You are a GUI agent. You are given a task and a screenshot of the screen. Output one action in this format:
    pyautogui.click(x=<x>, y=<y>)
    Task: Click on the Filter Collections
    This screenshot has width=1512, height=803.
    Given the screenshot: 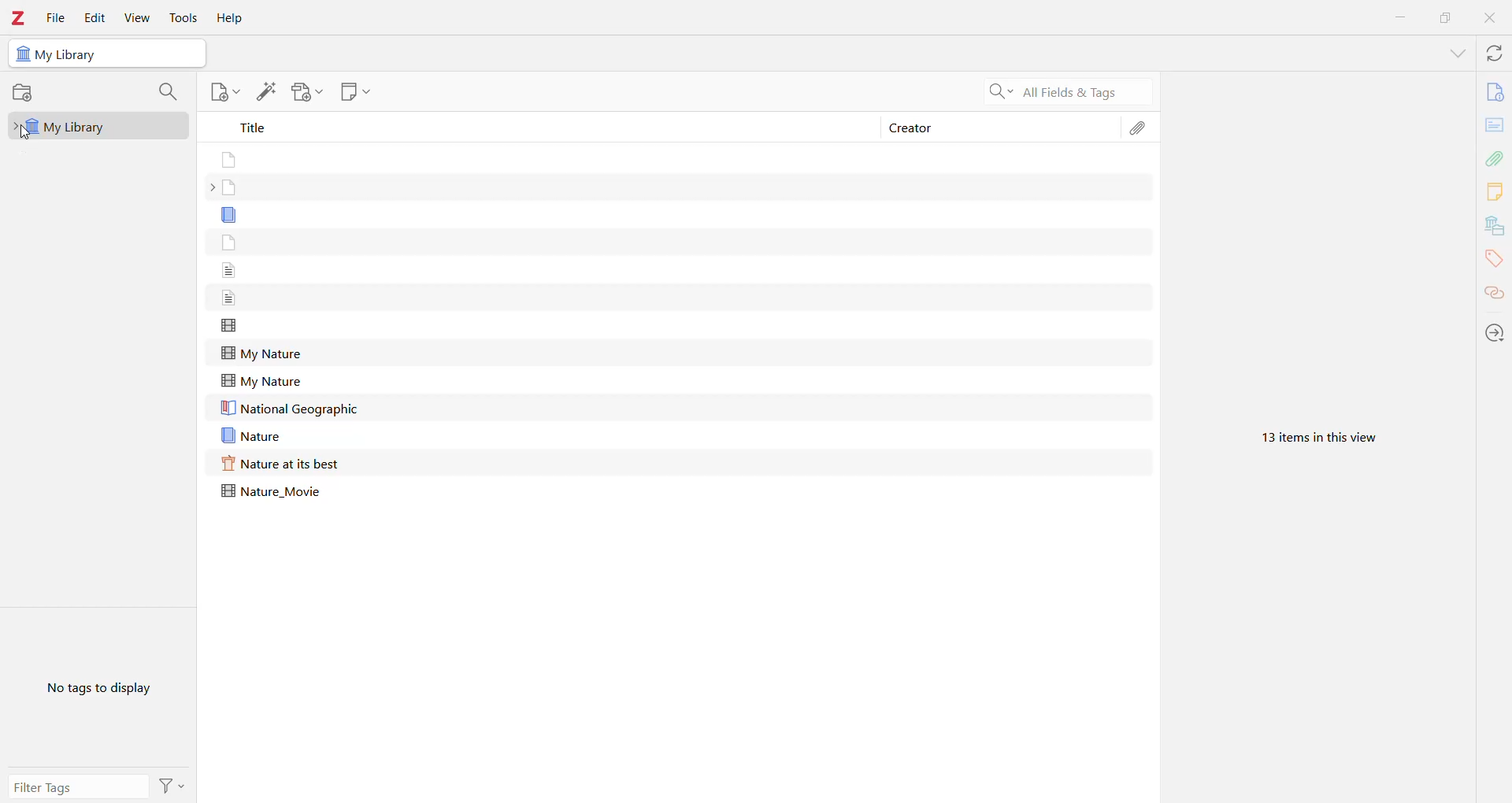 What is the action you would take?
    pyautogui.click(x=172, y=93)
    